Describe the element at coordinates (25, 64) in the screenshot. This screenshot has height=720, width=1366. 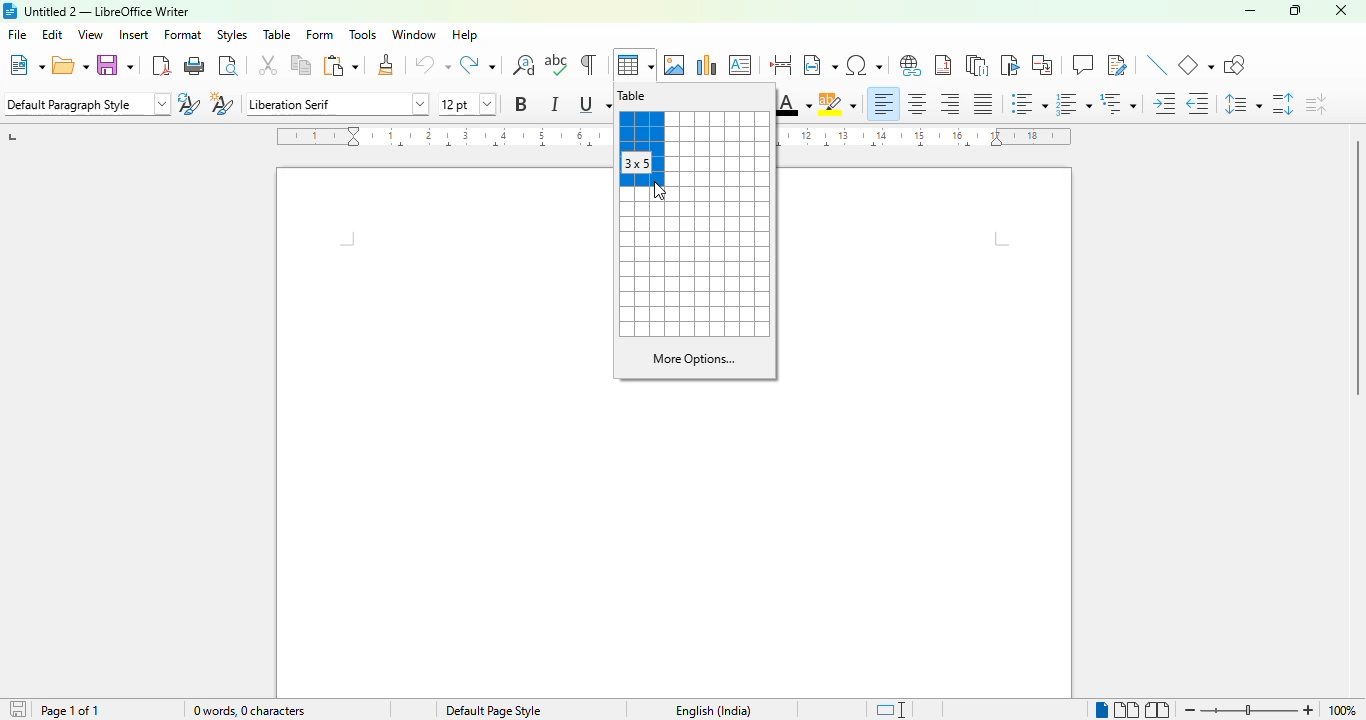
I see `new` at that location.